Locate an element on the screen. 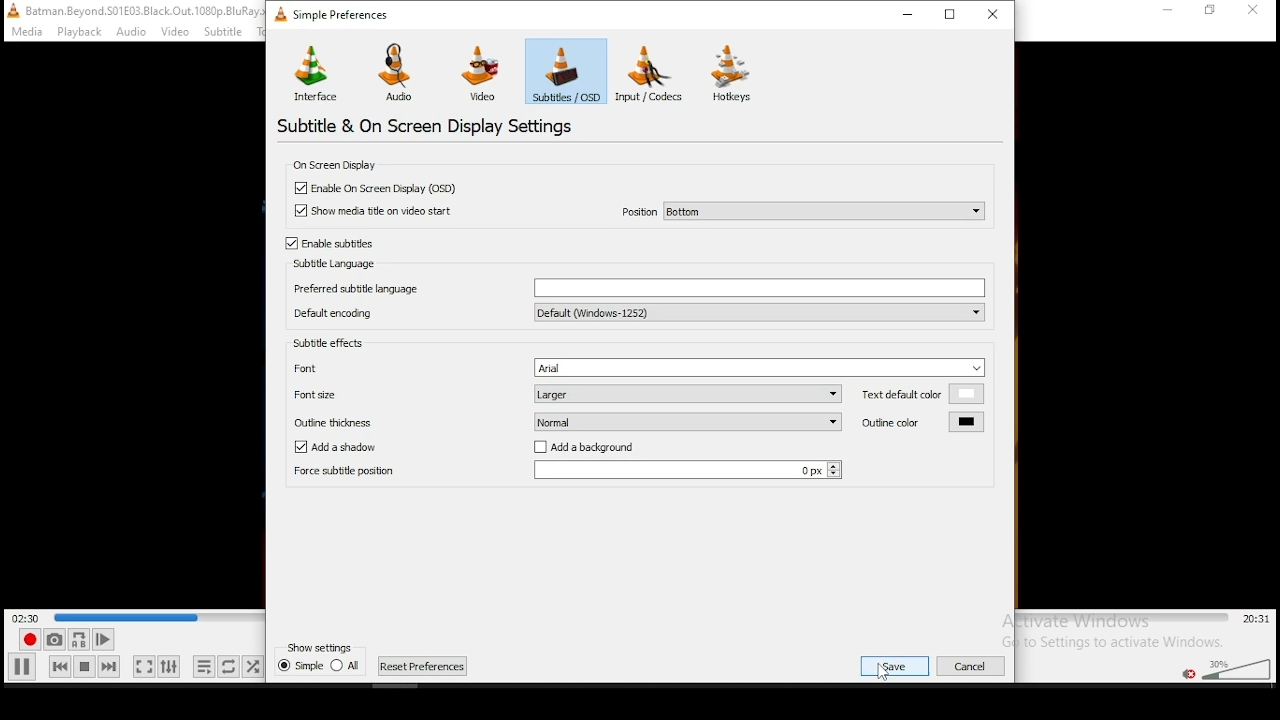 The width and height of the screenshot is (1280, 720). minimize is located at coordinates (1170, 10).